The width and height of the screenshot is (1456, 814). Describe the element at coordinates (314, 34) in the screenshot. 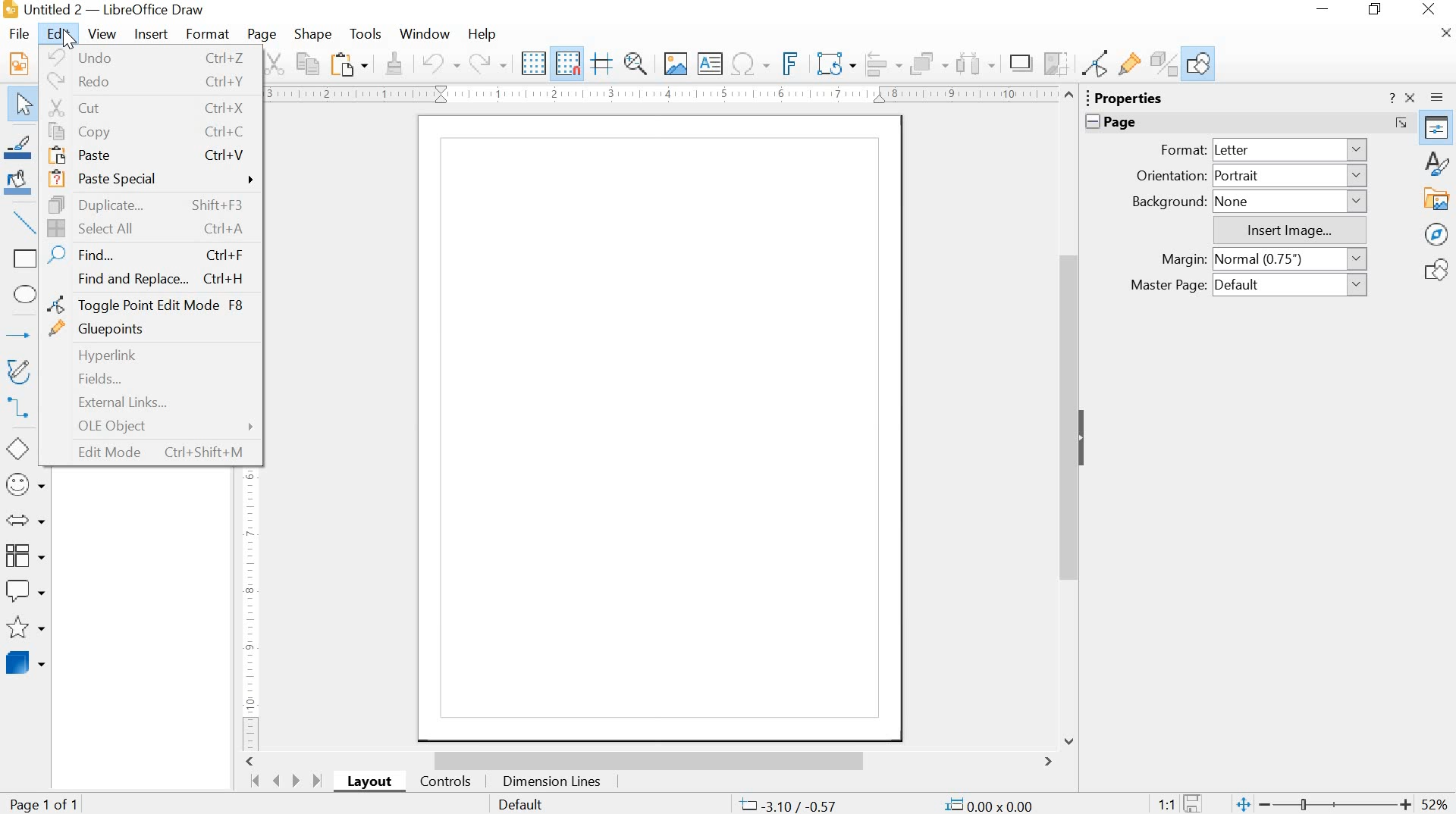

I see `Shape` at that location.